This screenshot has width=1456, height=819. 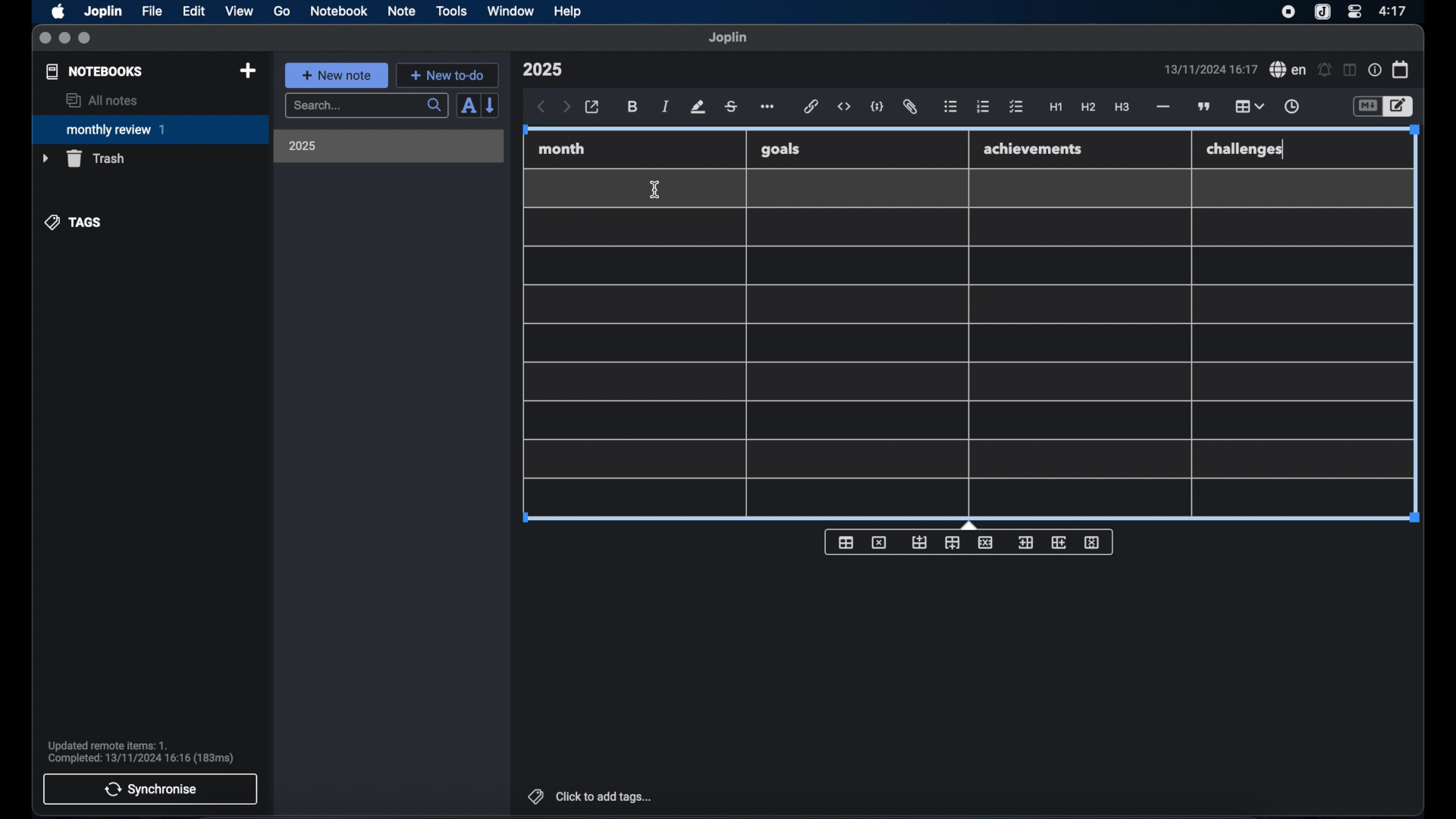 I want to click on toggle editor layout, so click(x=1351, y=70).